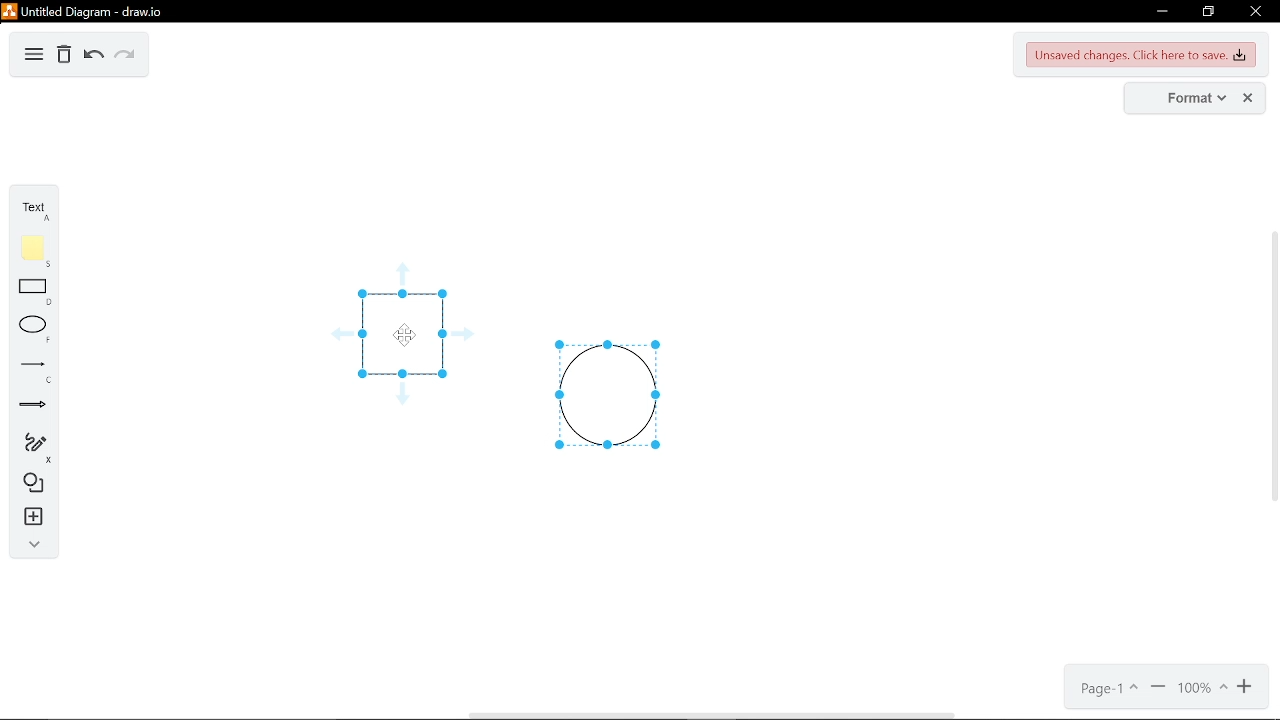 The width and height of the screenshot is (1280, 720). I want to click on untitled diagram - draw.io, so click(94, 10).